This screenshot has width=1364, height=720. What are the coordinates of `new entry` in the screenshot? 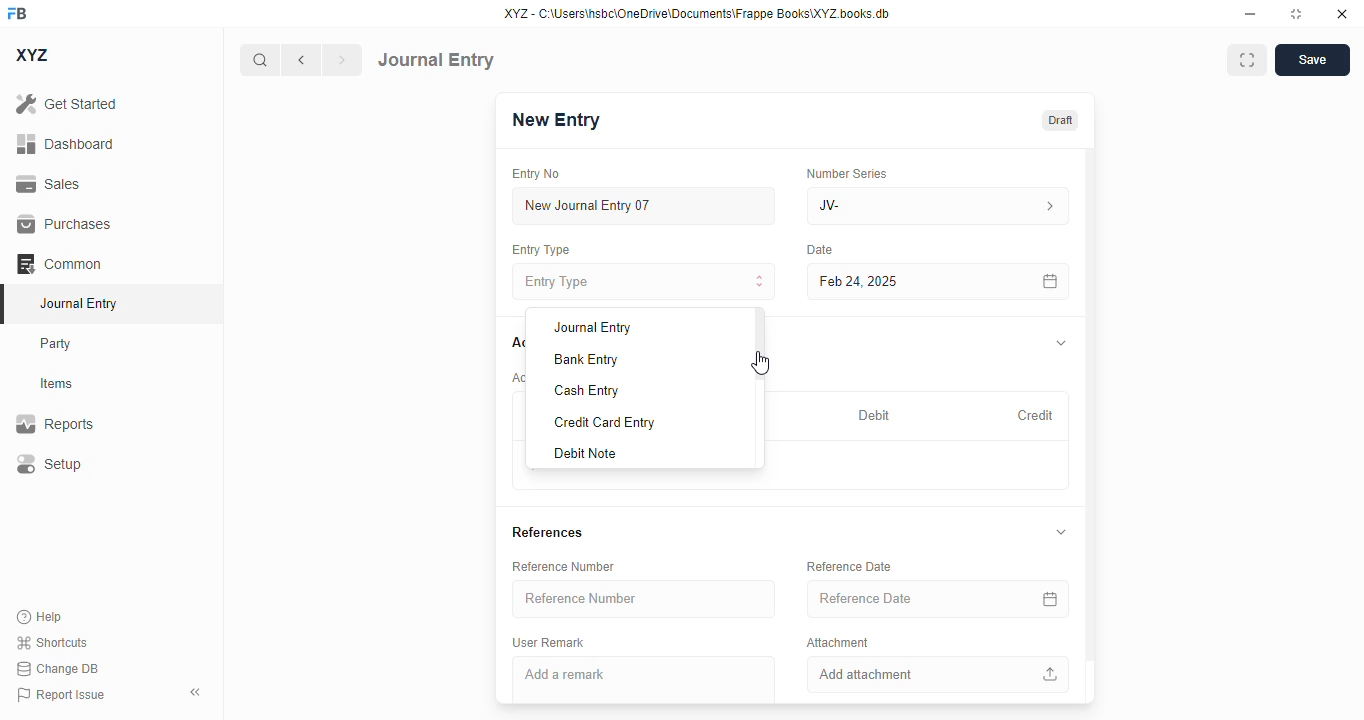 It's located at (557, 119).